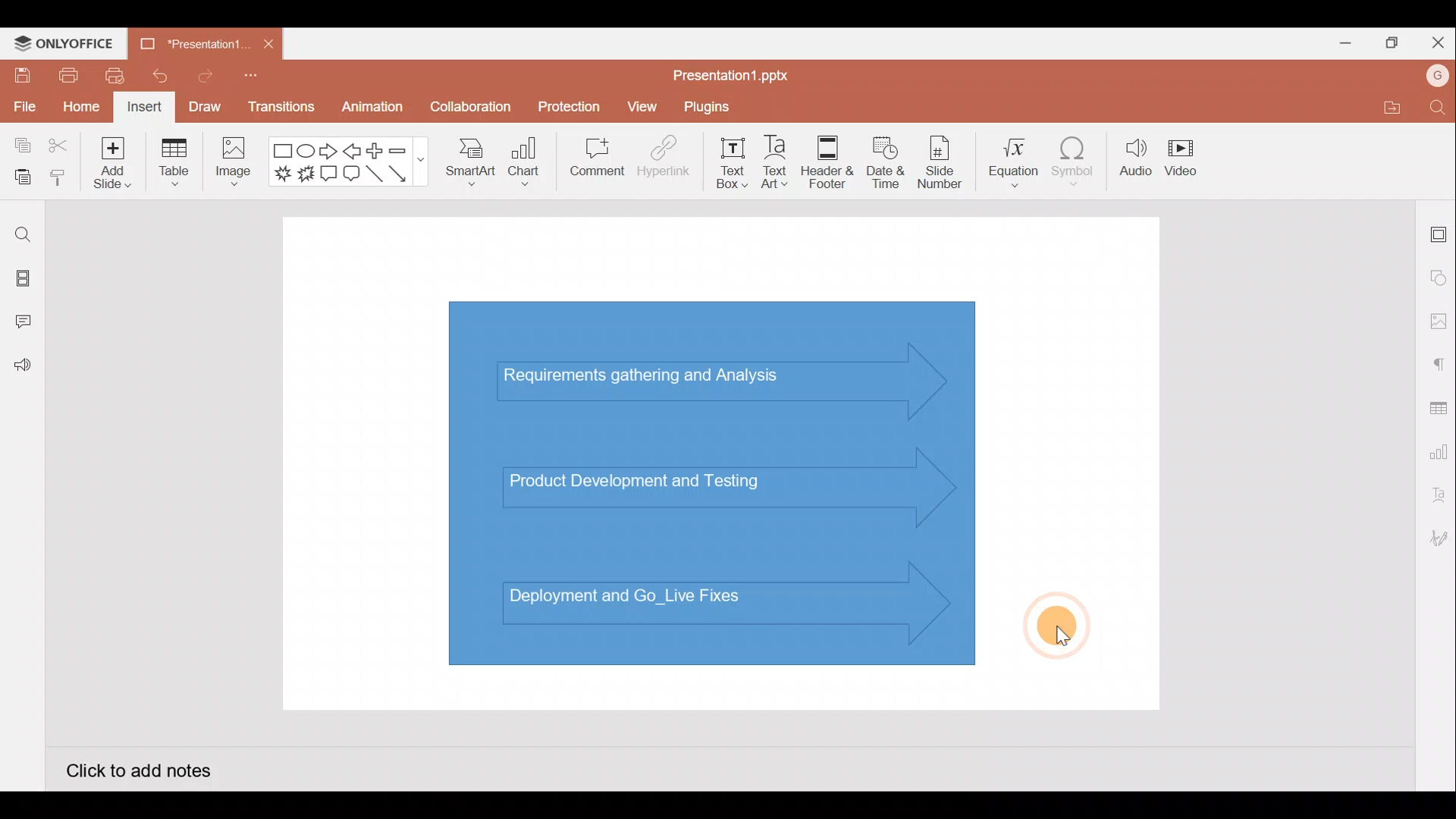 Image resolution: width=1456 pixels, height=819 pixels. I want to click on Slide settings, so click(1439, 231).